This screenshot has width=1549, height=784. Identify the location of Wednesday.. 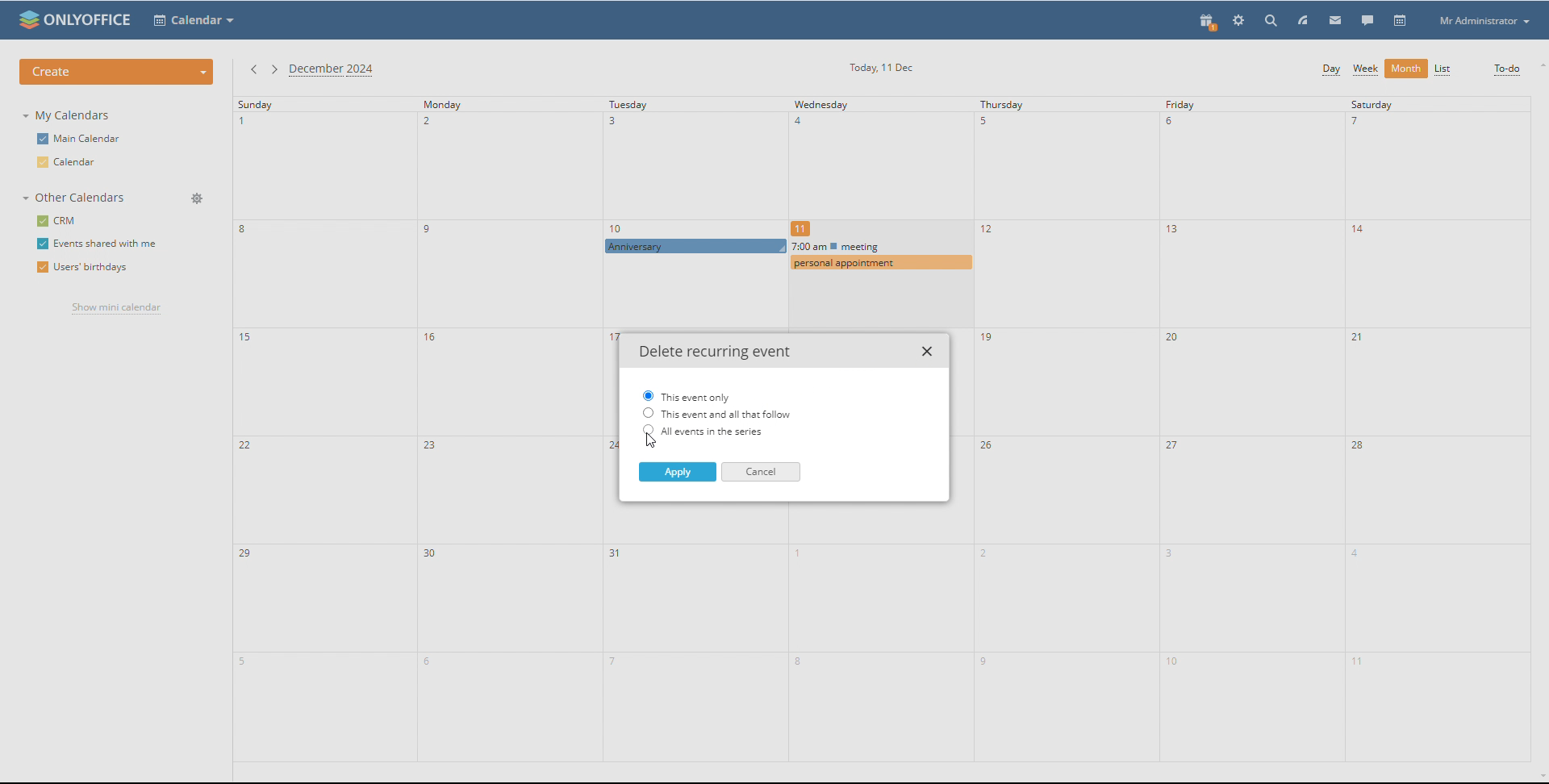
(875, 165).